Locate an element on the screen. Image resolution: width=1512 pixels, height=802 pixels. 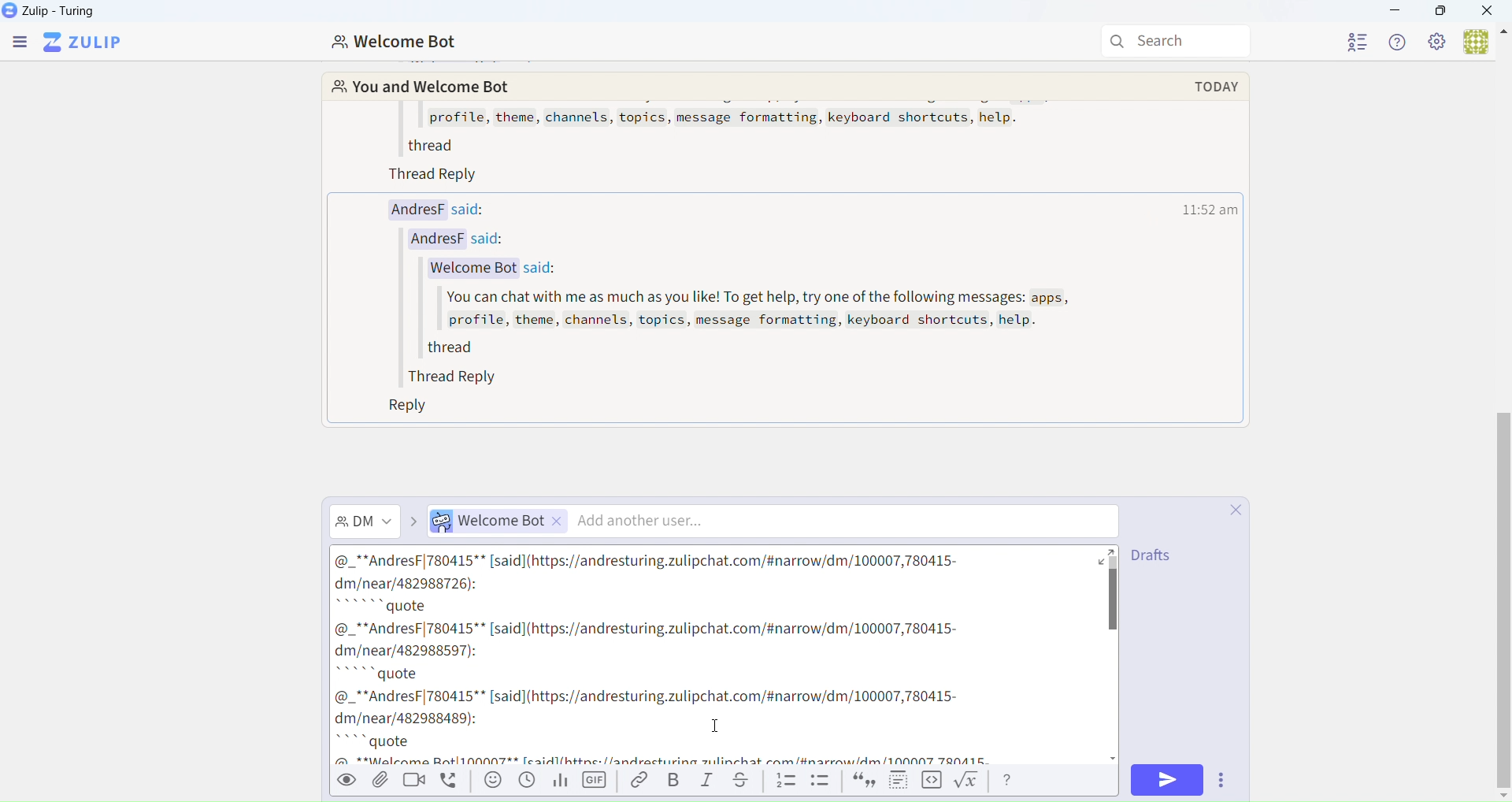
emoji is located at coordinates (491, 782).